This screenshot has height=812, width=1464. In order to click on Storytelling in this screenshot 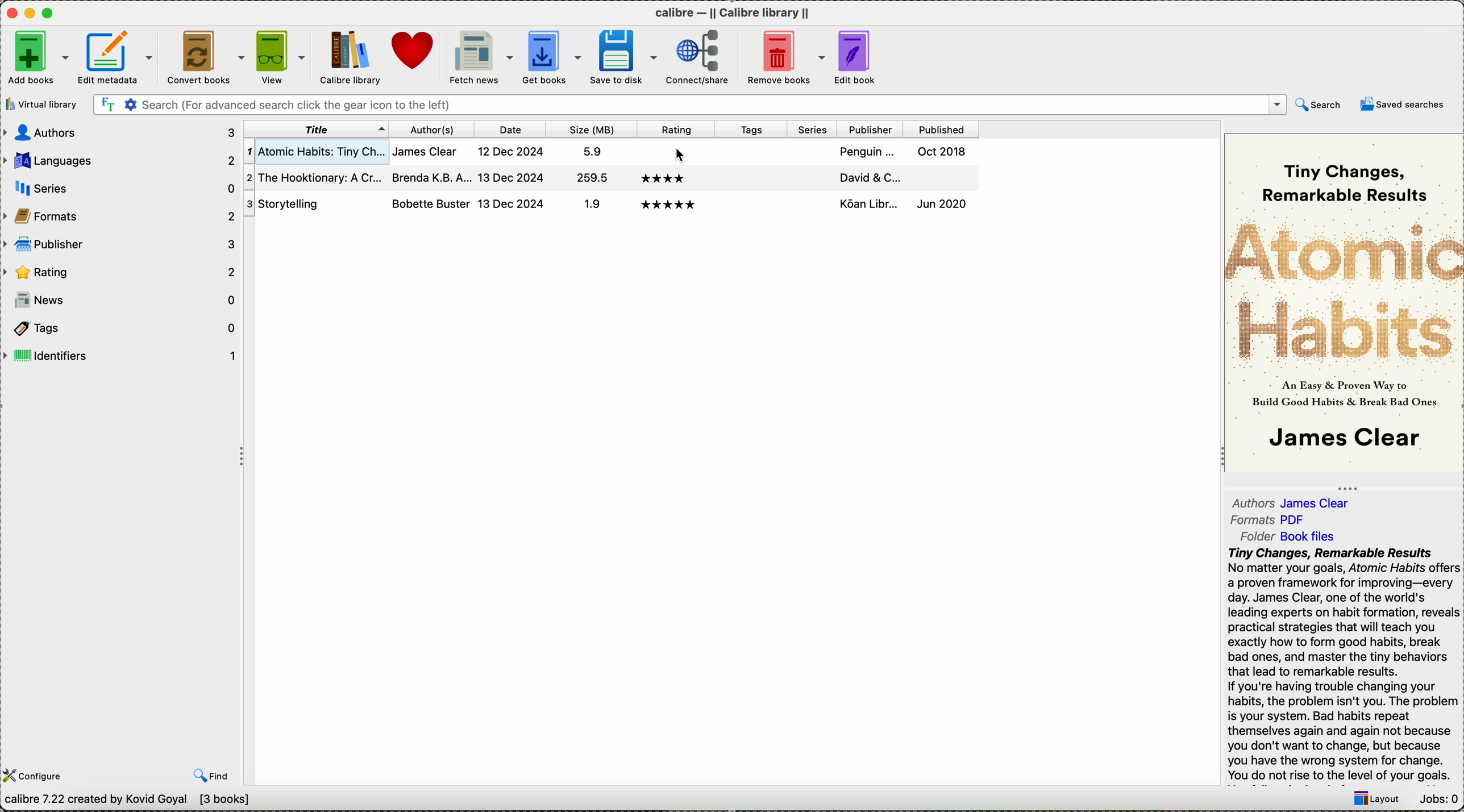, I will do `click(312, 204)`.